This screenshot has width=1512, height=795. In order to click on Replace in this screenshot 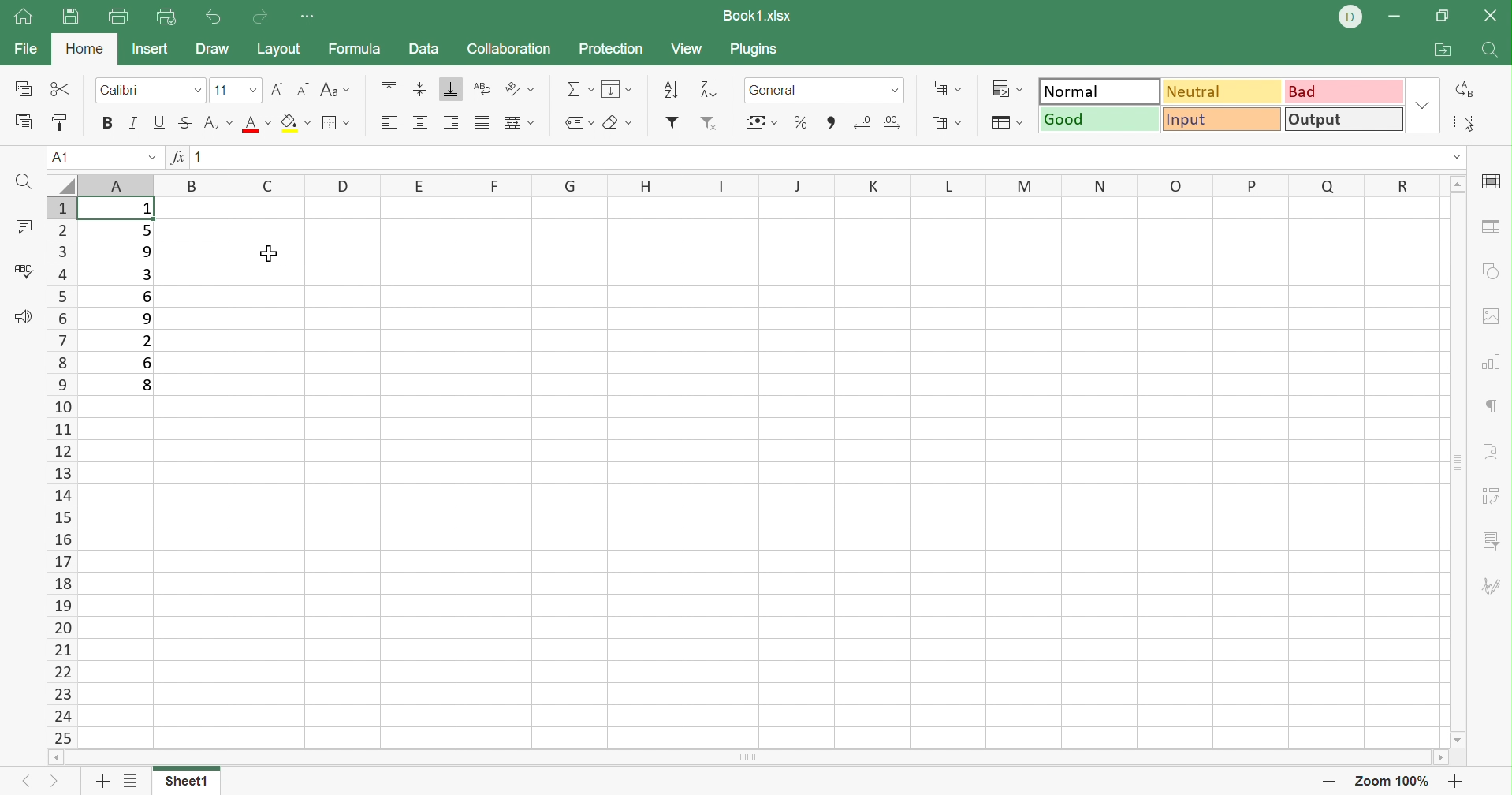, I will do `click(1469, 90)`.